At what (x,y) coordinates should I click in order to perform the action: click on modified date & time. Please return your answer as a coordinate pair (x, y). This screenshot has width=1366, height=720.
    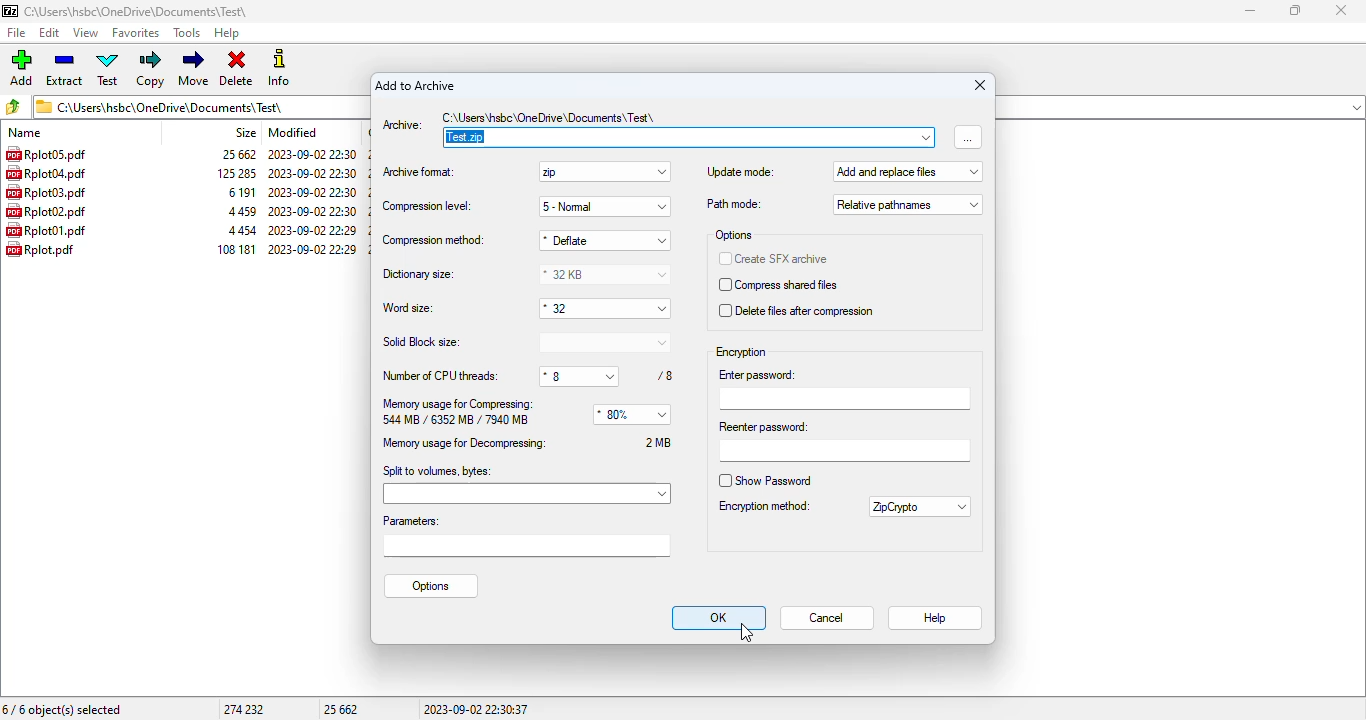
    Looking at the image, I should click on (314, 173).